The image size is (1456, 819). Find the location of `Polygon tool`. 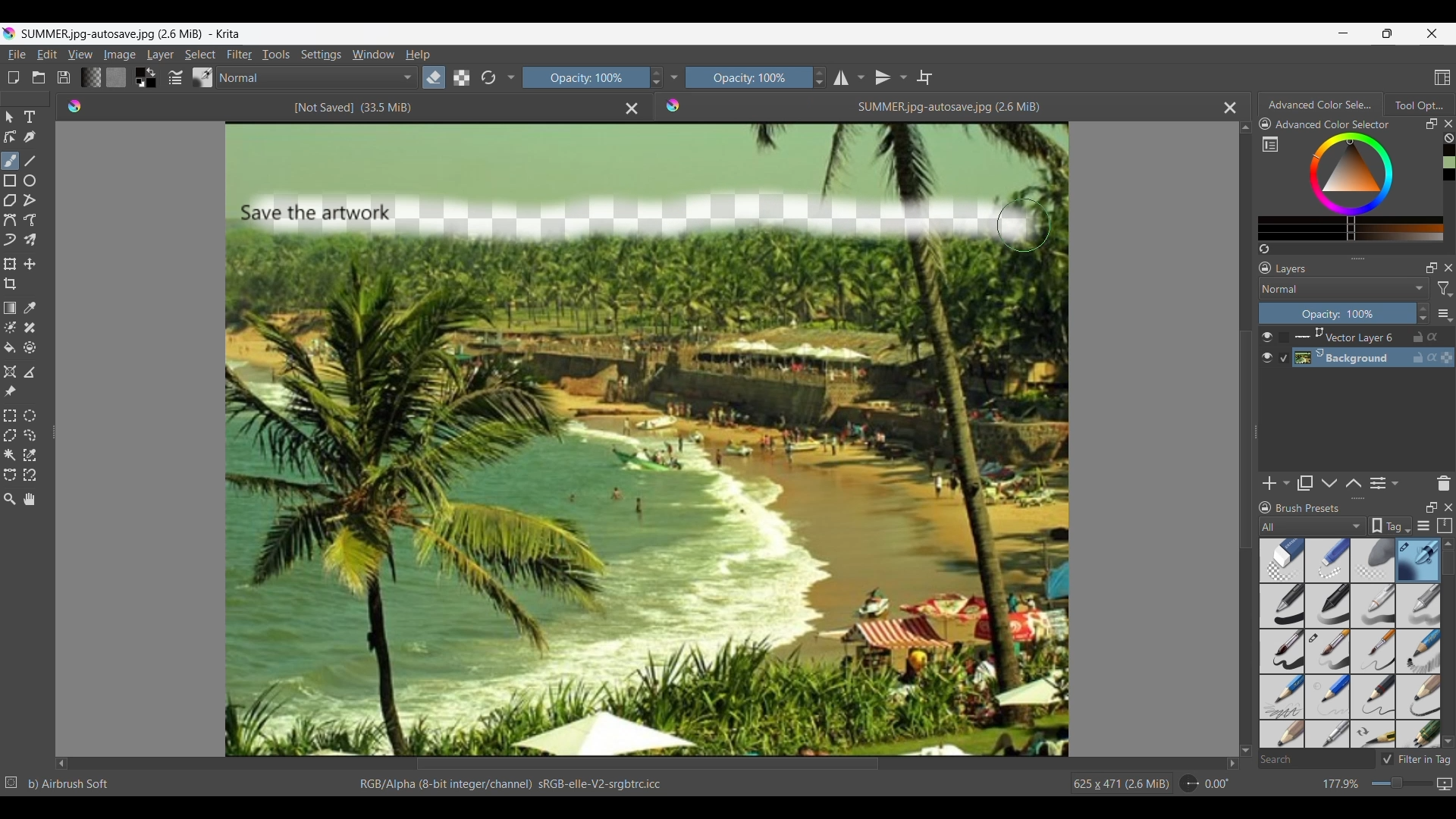

Polygon tool is located at coordinates (11, 200).